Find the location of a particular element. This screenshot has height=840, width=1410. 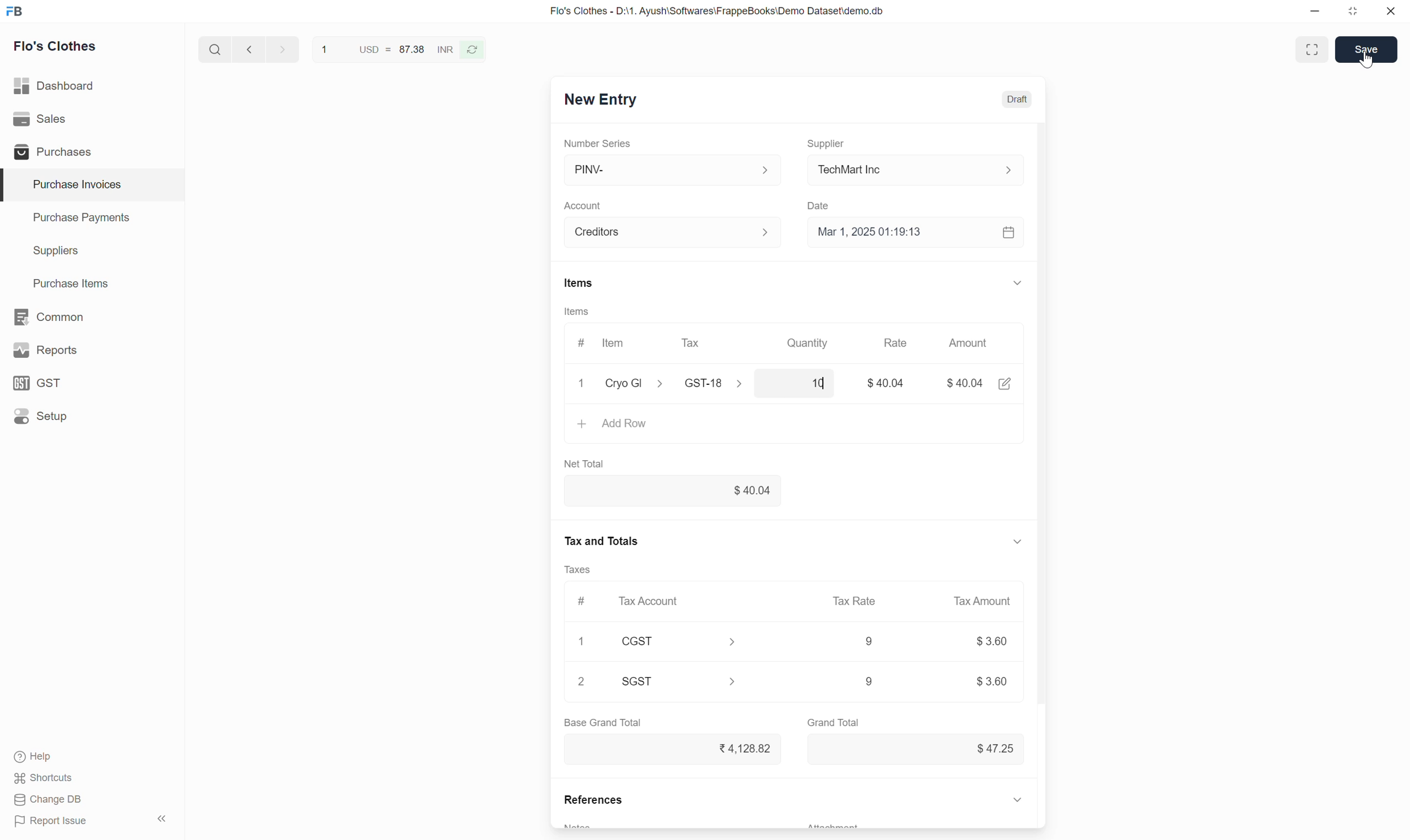

Report issue is located at coordinates (55, 823).